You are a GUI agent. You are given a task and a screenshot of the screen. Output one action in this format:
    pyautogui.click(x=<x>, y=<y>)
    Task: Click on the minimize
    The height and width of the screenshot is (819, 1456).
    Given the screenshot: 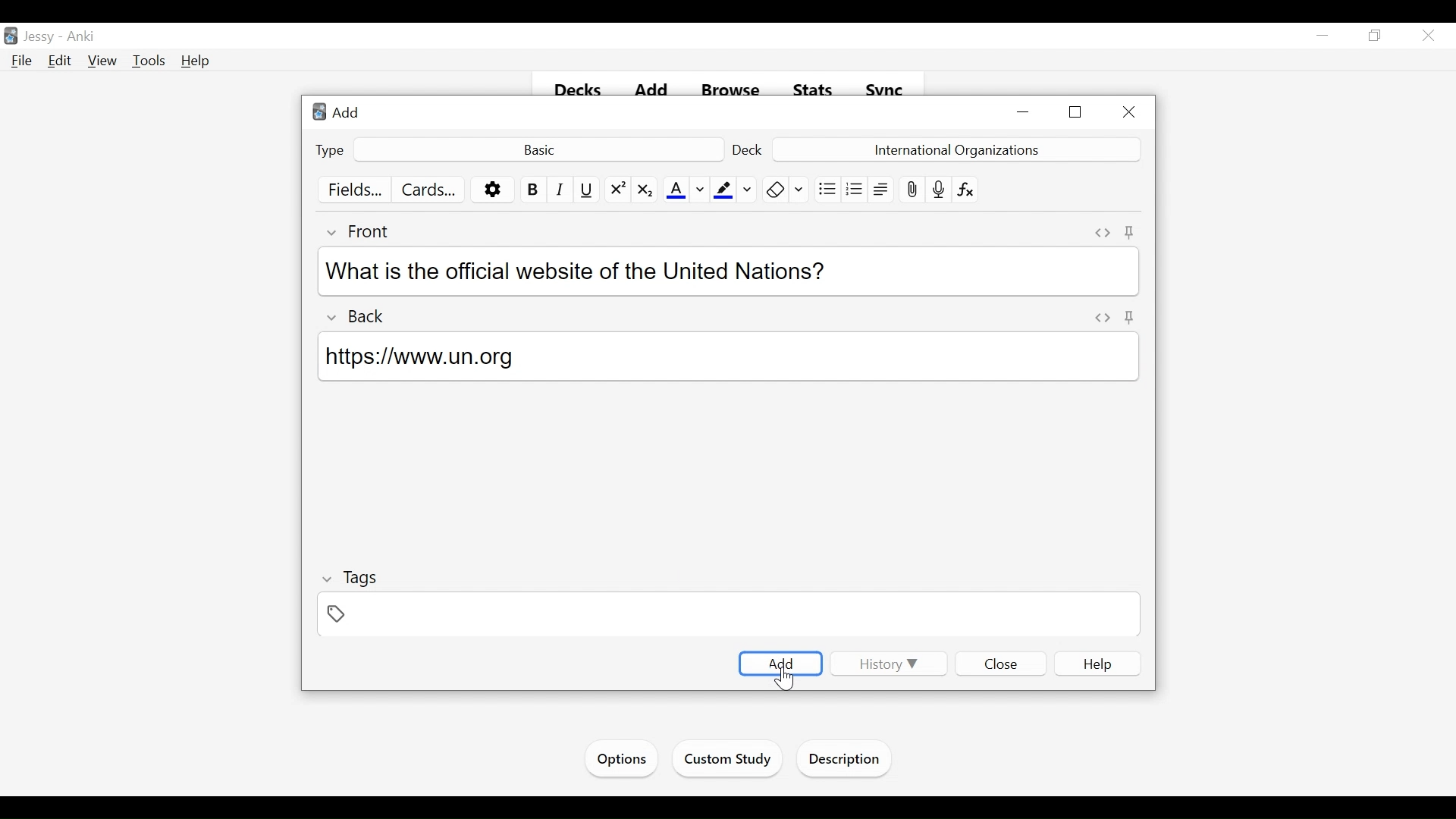 What is the action you would take?
    pyautogui.click(x=1323, y=36)
    